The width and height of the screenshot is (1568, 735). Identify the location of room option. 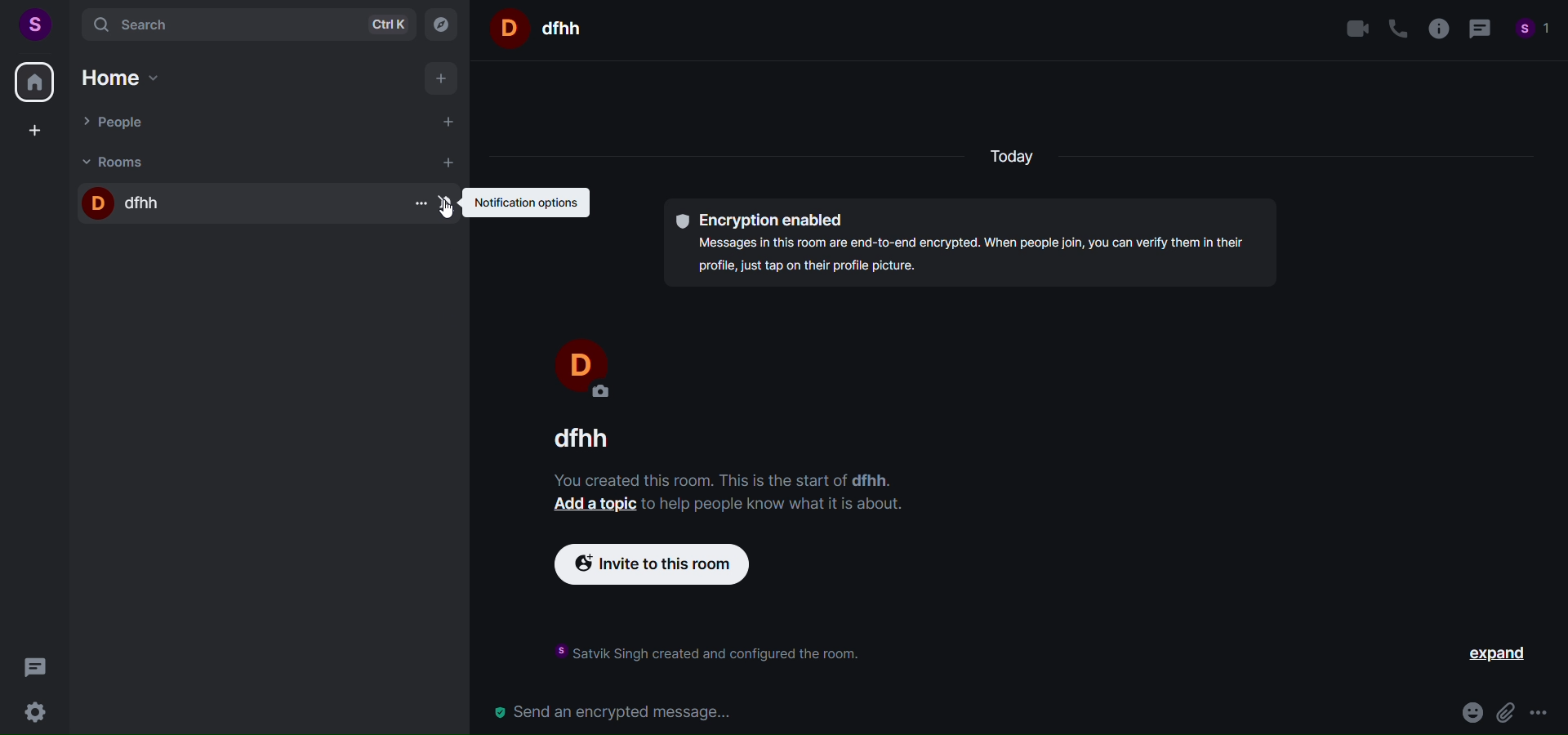
(417, 204).